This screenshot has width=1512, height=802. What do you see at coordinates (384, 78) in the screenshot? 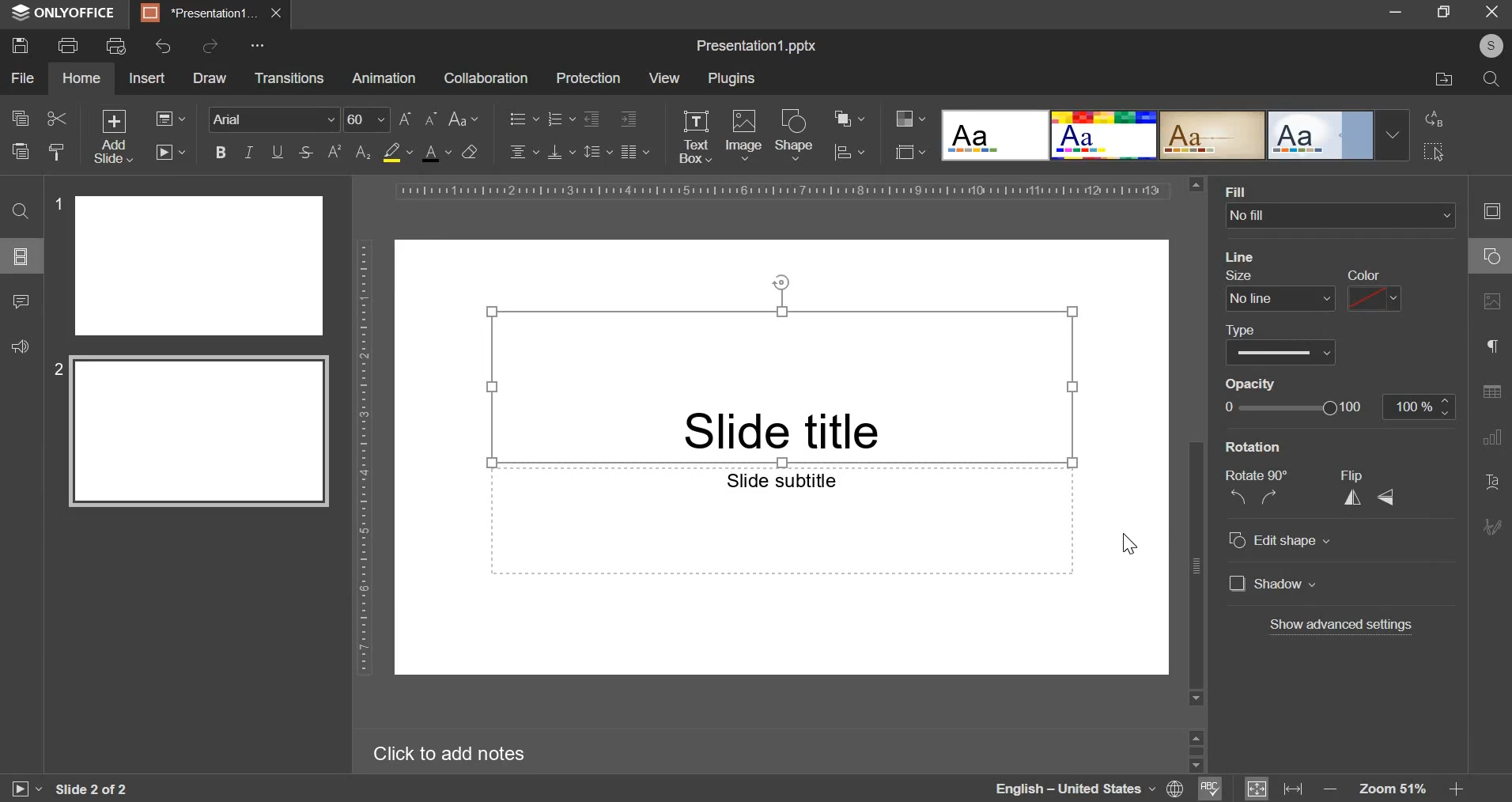
I see `animation` at bounding box center [384, 78].